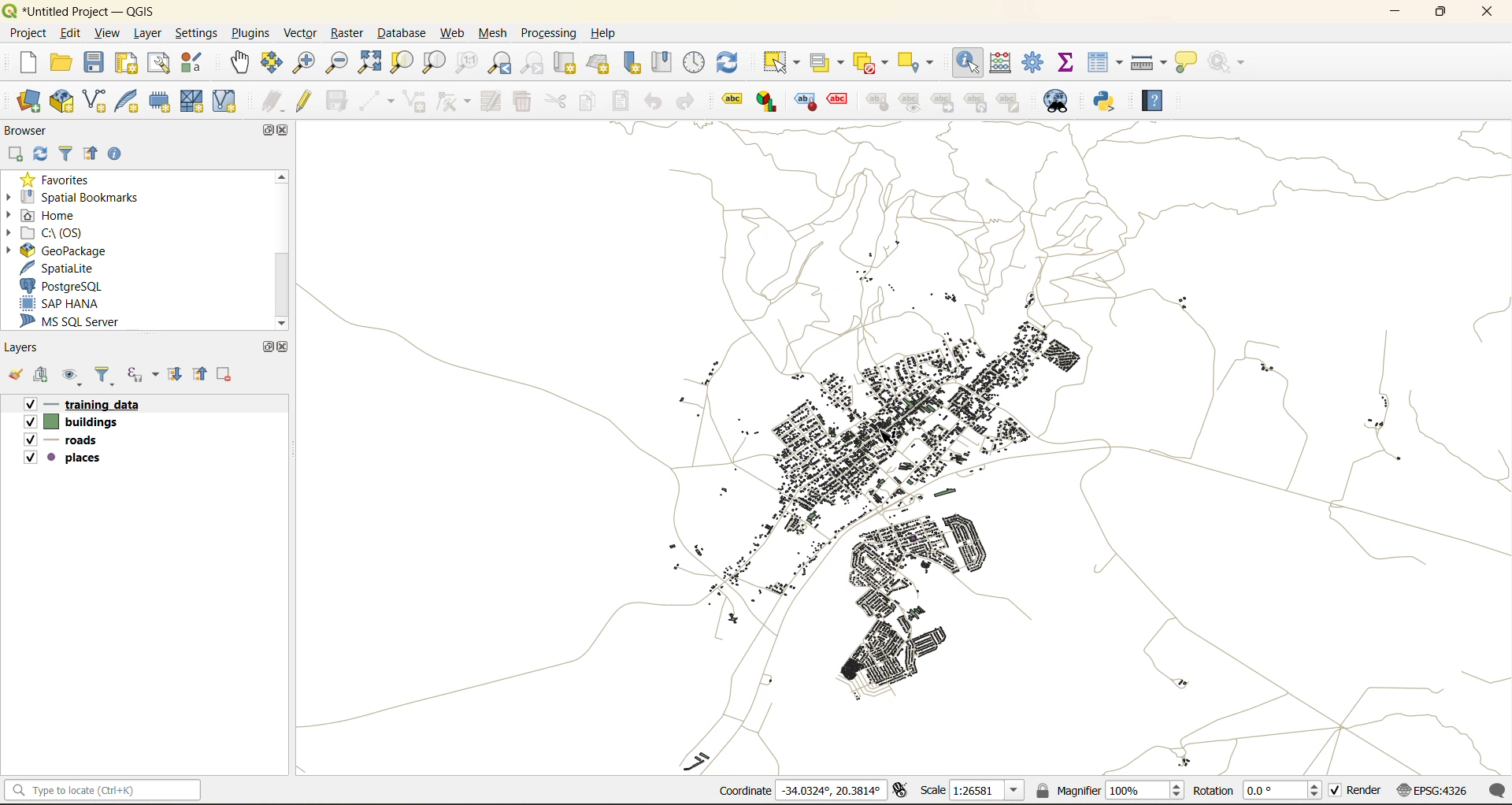 The width and height of the screenshot is (1512, 805). Describe the element at coordinates (59, 232) in the screenshot. I see `c\:os` at that location.